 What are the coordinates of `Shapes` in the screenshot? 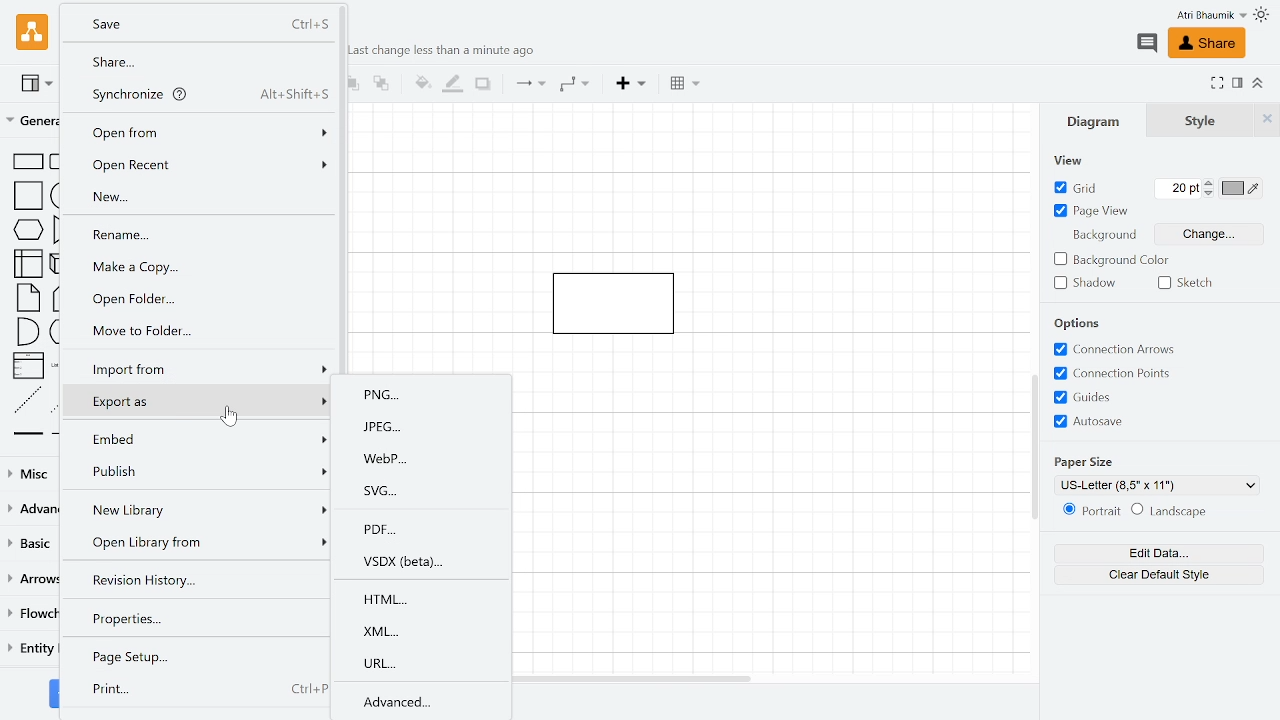 It's located at (30, 295).